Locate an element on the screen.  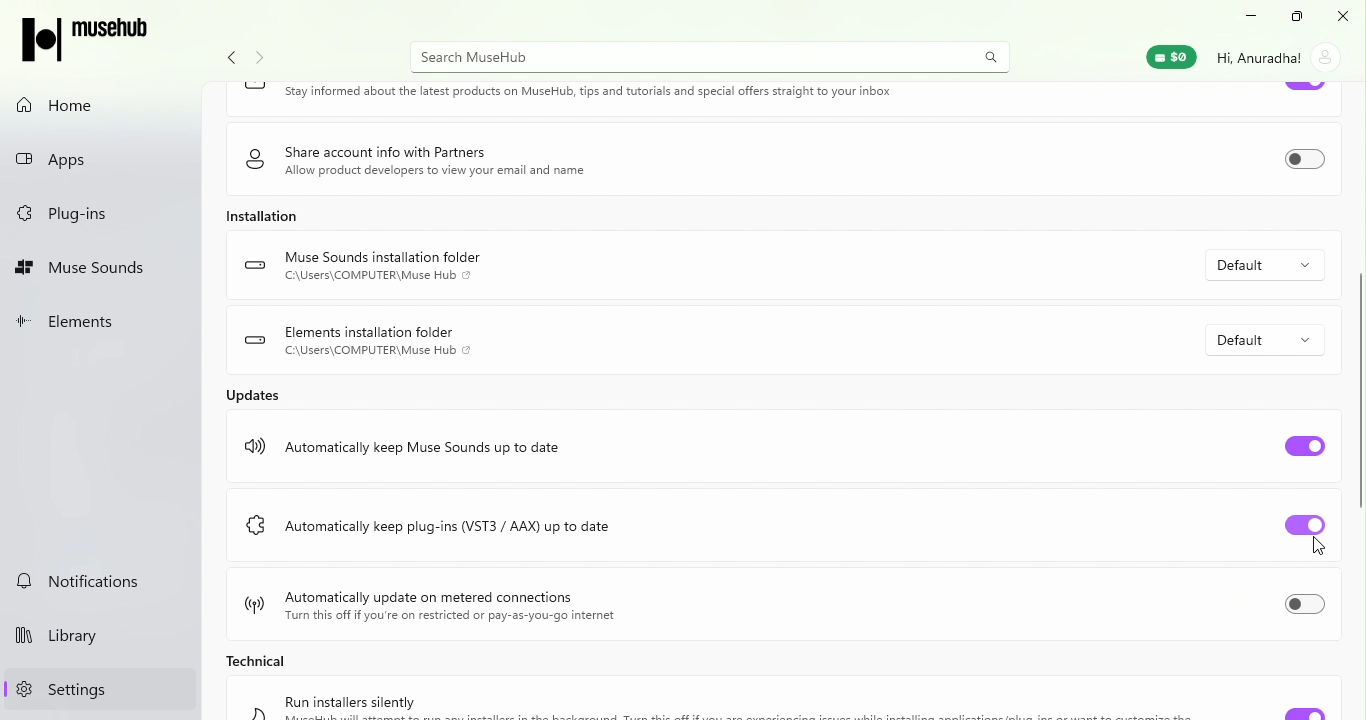
navigate forward is located at coordinates (259, 59).